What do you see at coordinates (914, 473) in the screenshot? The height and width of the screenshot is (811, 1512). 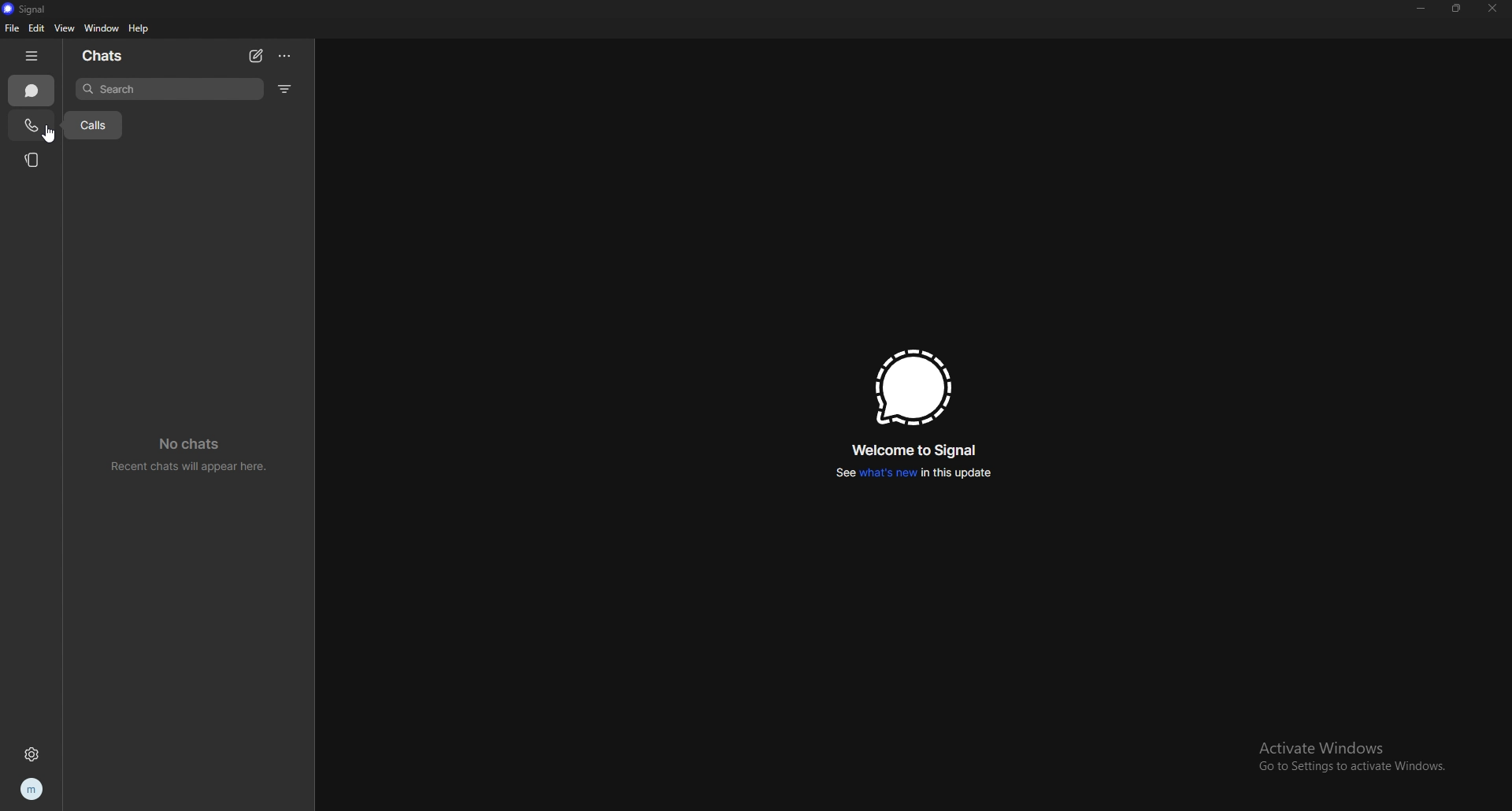 I see `see whats new in this update` at bounding box center [914, 473].